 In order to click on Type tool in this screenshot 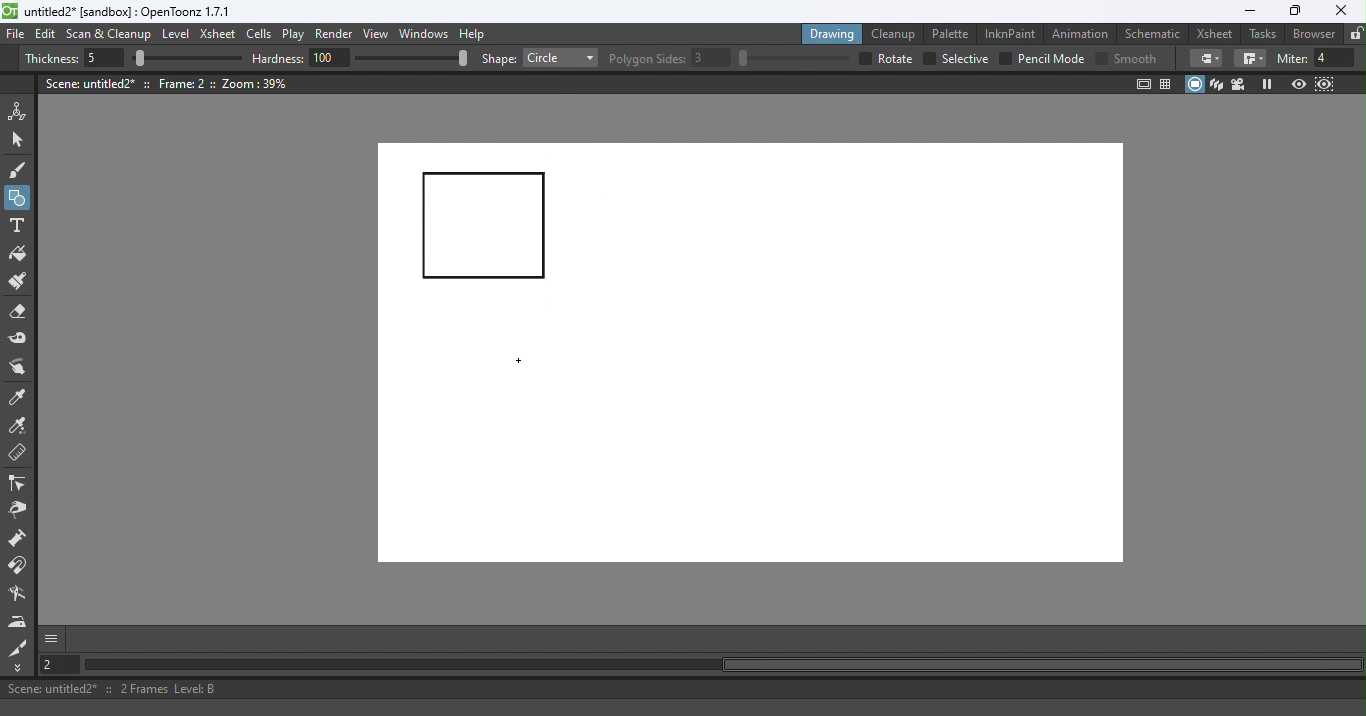, I will do `click(17, 227)`.